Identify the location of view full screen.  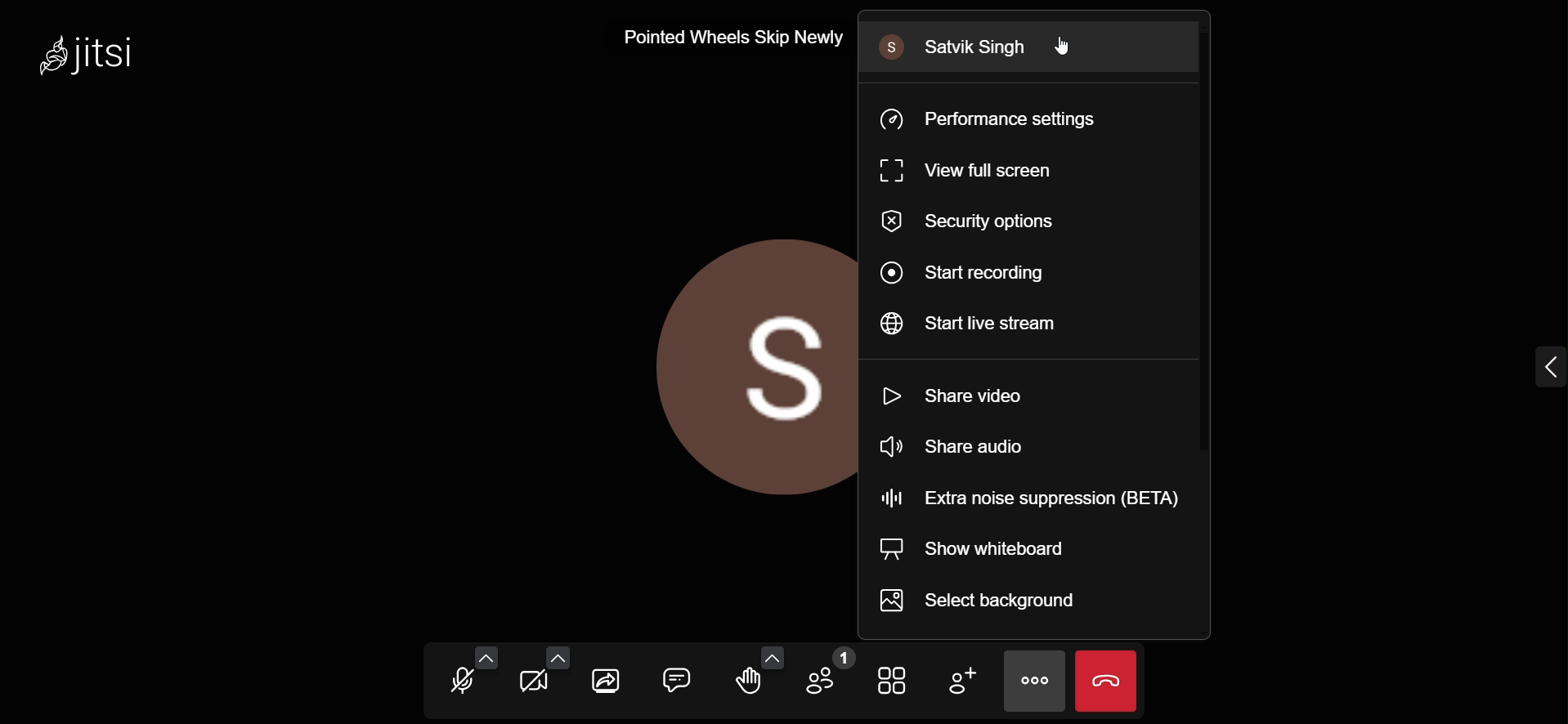
(969, 170).